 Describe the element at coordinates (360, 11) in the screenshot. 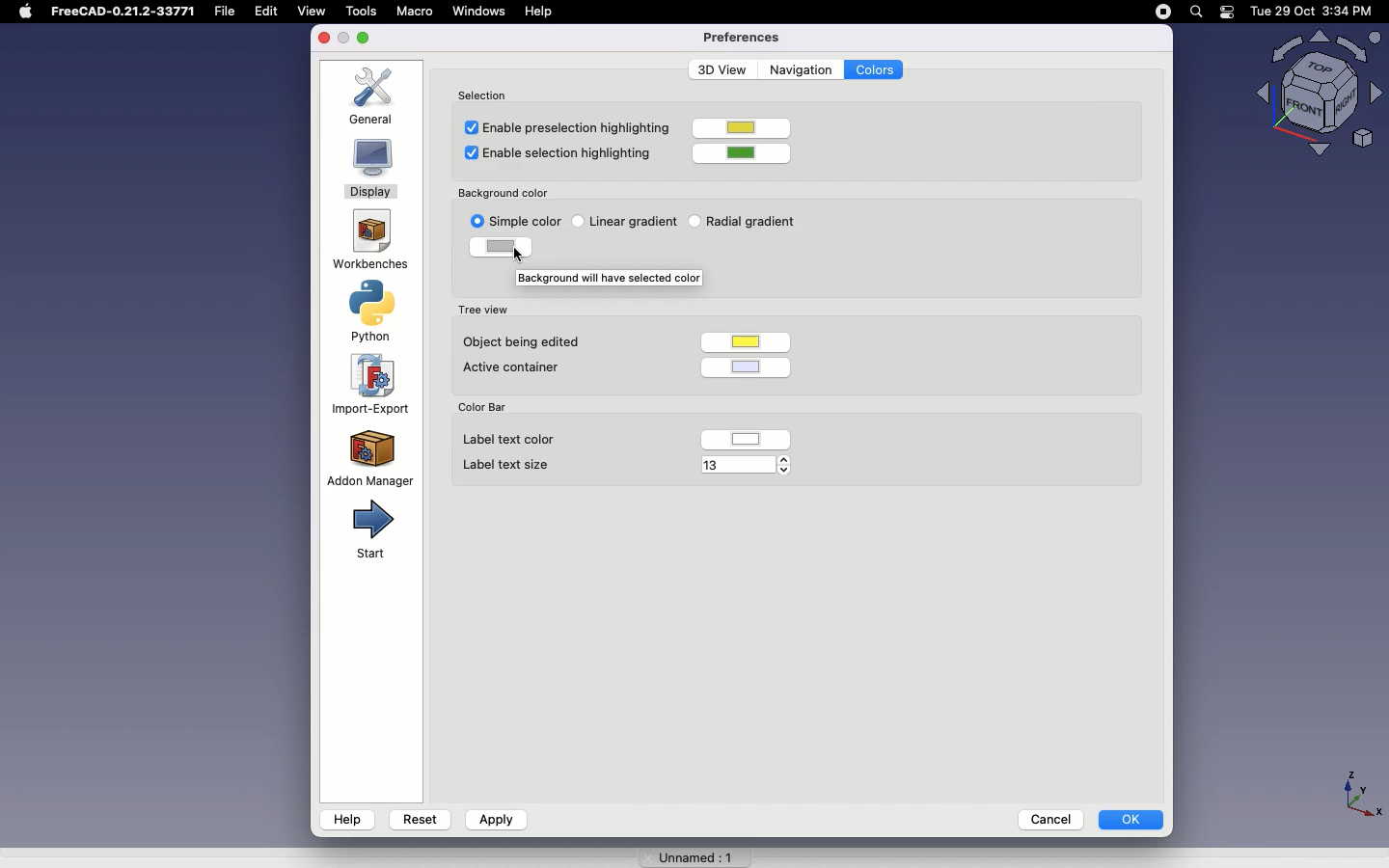

I see `tools` at that location.